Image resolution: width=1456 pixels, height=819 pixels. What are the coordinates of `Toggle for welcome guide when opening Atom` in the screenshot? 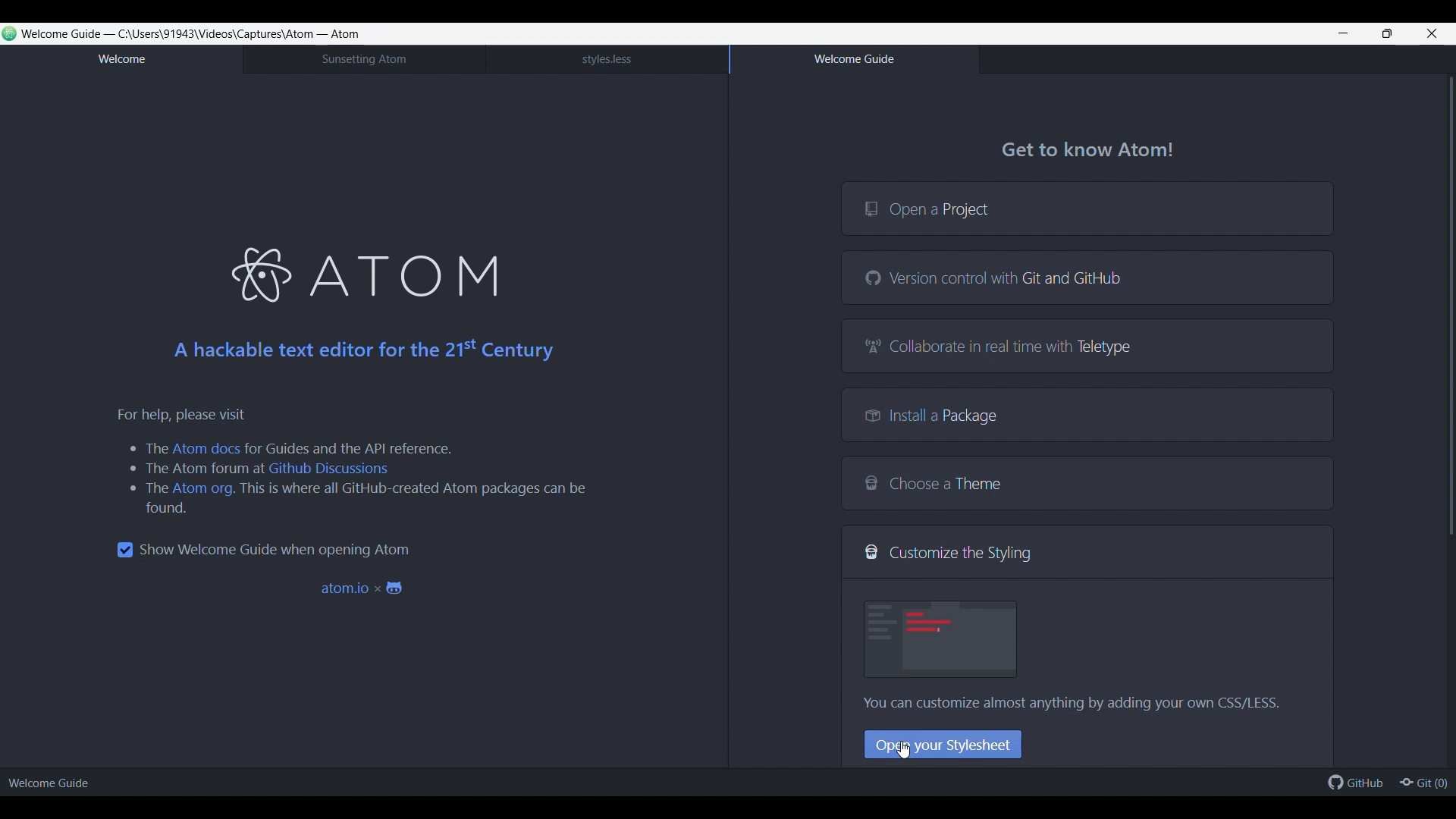 It's located at (275, 550).